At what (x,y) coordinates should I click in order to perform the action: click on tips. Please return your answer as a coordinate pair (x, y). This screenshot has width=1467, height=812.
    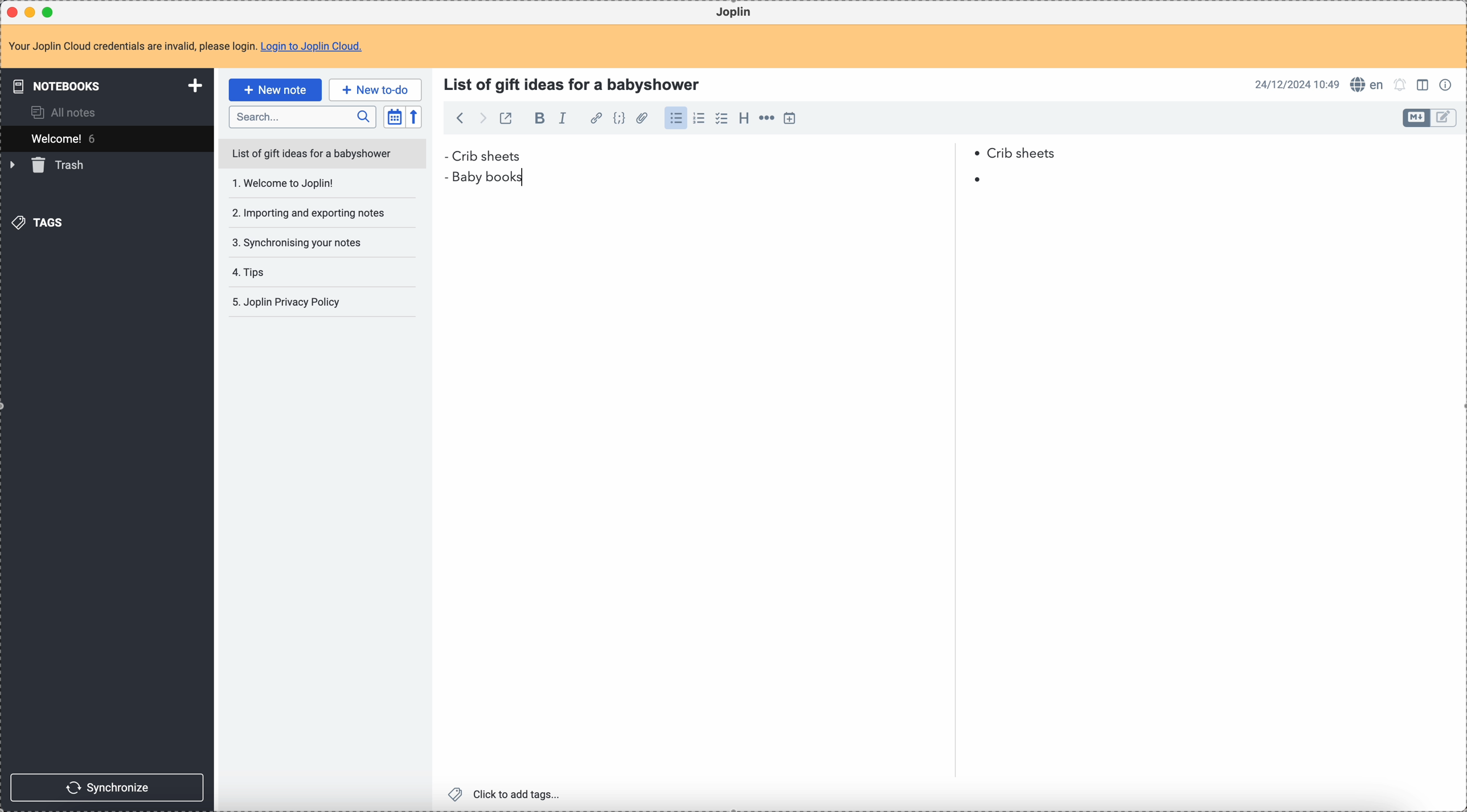
    Looking at the image, I should click on (284, 272).